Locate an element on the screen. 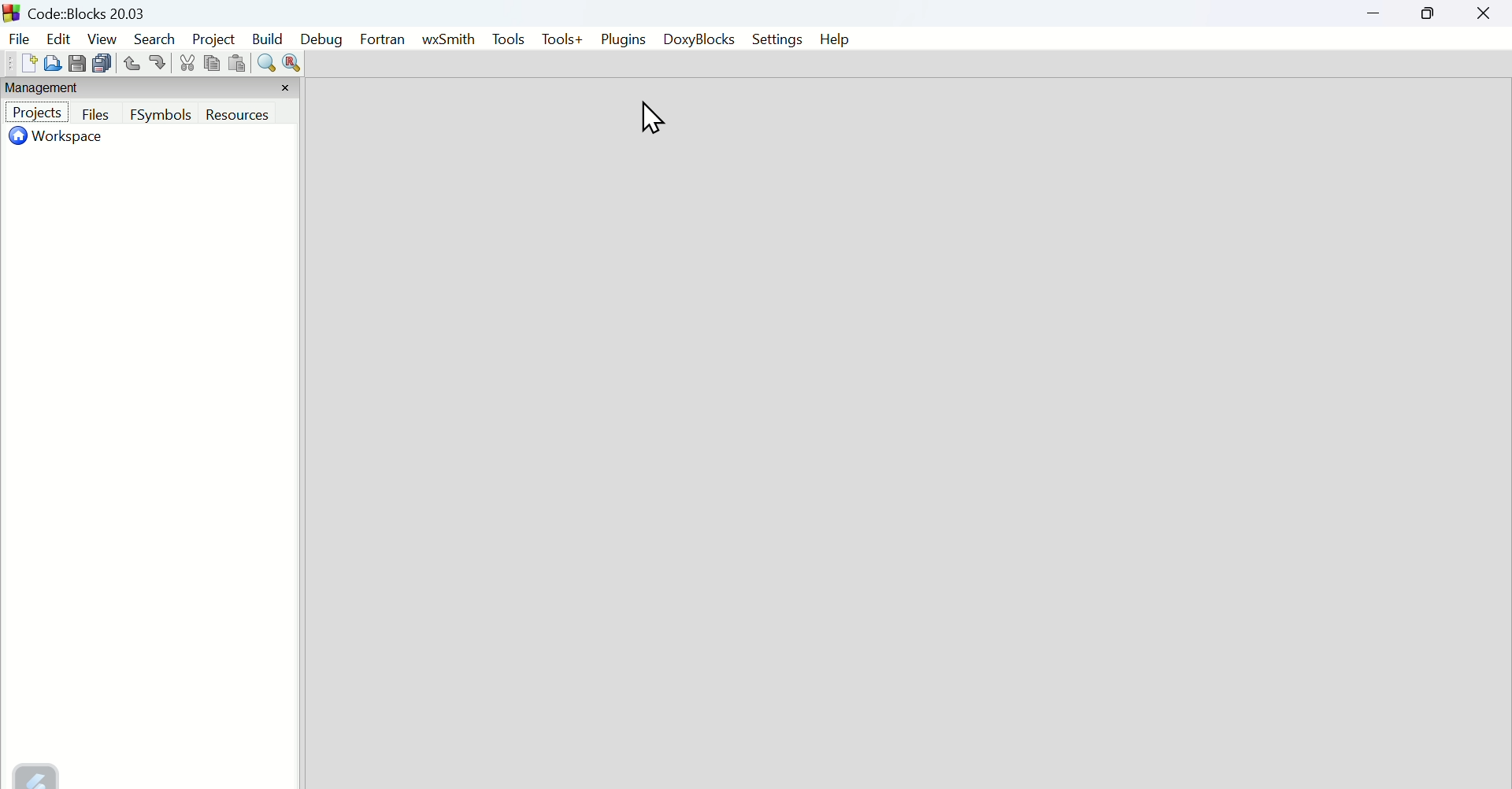 The image size is (1512, 789). Search is located at coordinates (157, 39).